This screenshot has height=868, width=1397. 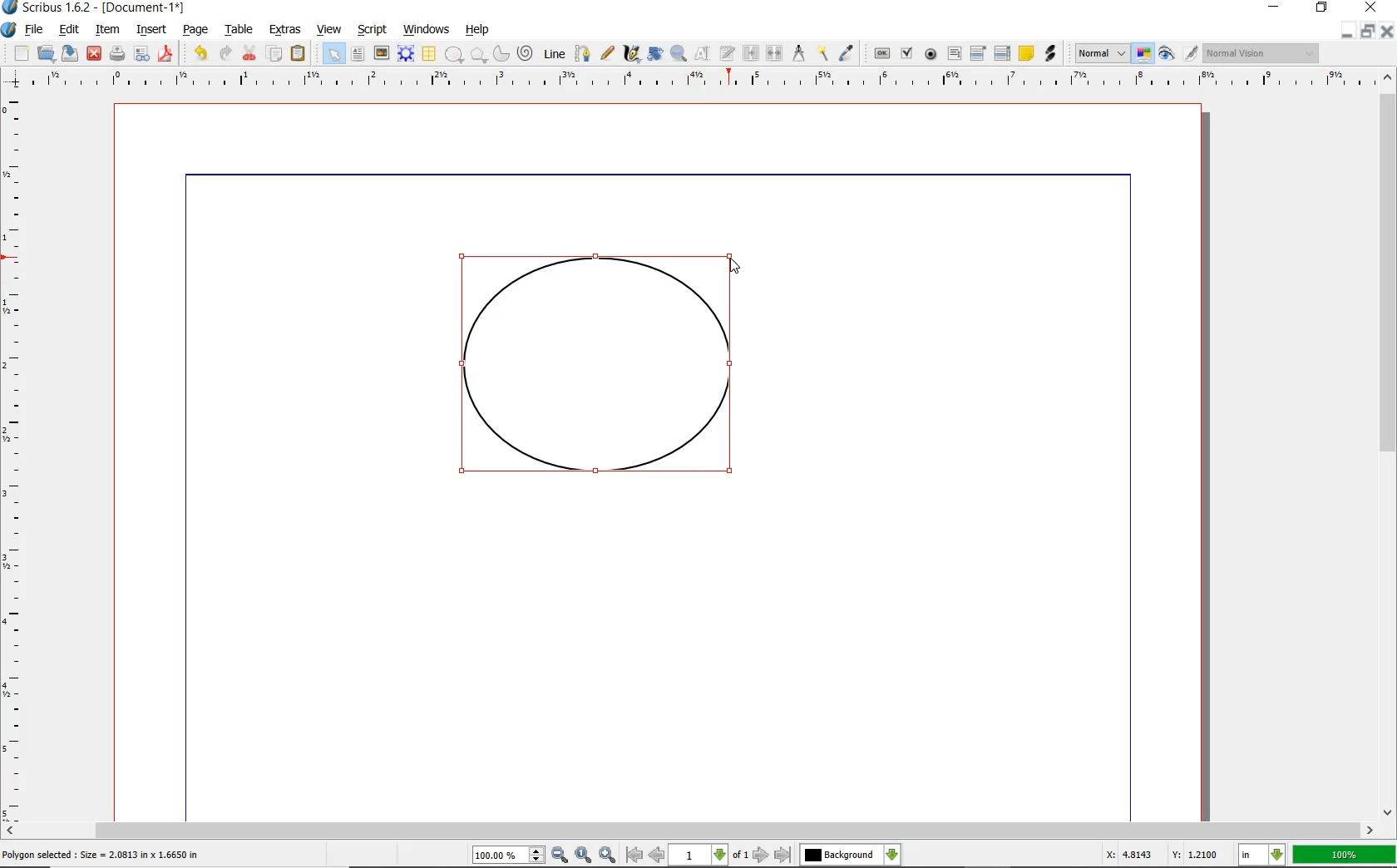 I want to click on visual appearance of the display, so click(x=1261, y=54).